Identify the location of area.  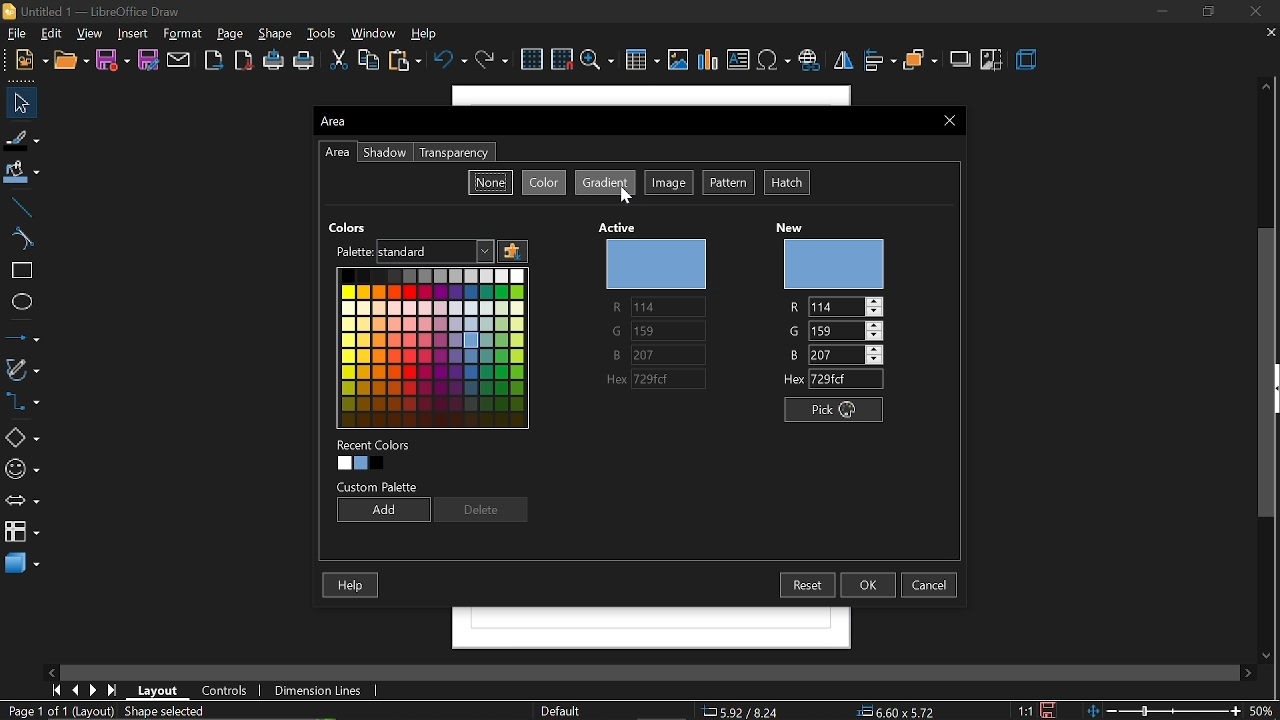
(337, 153).